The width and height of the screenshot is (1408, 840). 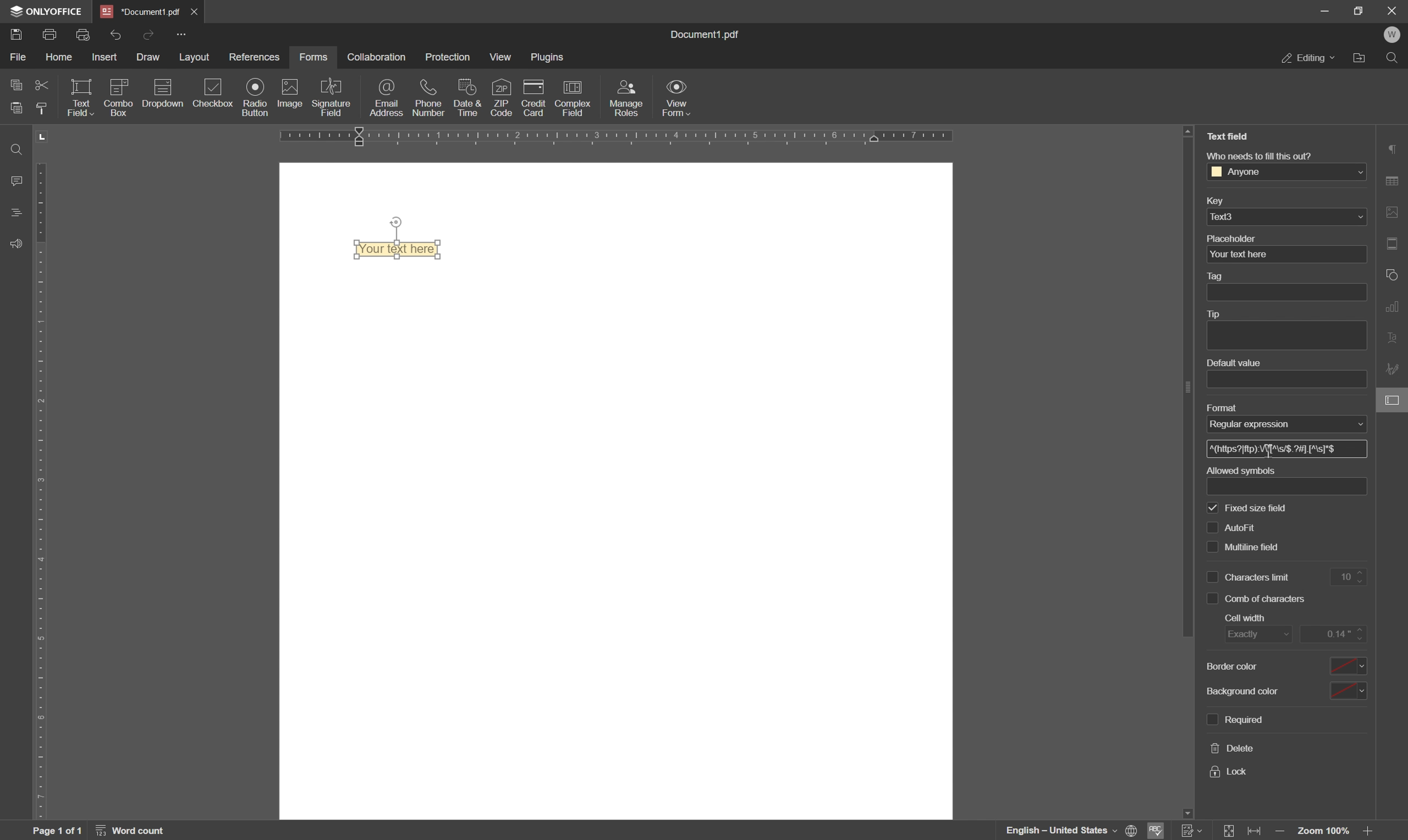 I want to click on header & footer, so click(x=1395, y=243).